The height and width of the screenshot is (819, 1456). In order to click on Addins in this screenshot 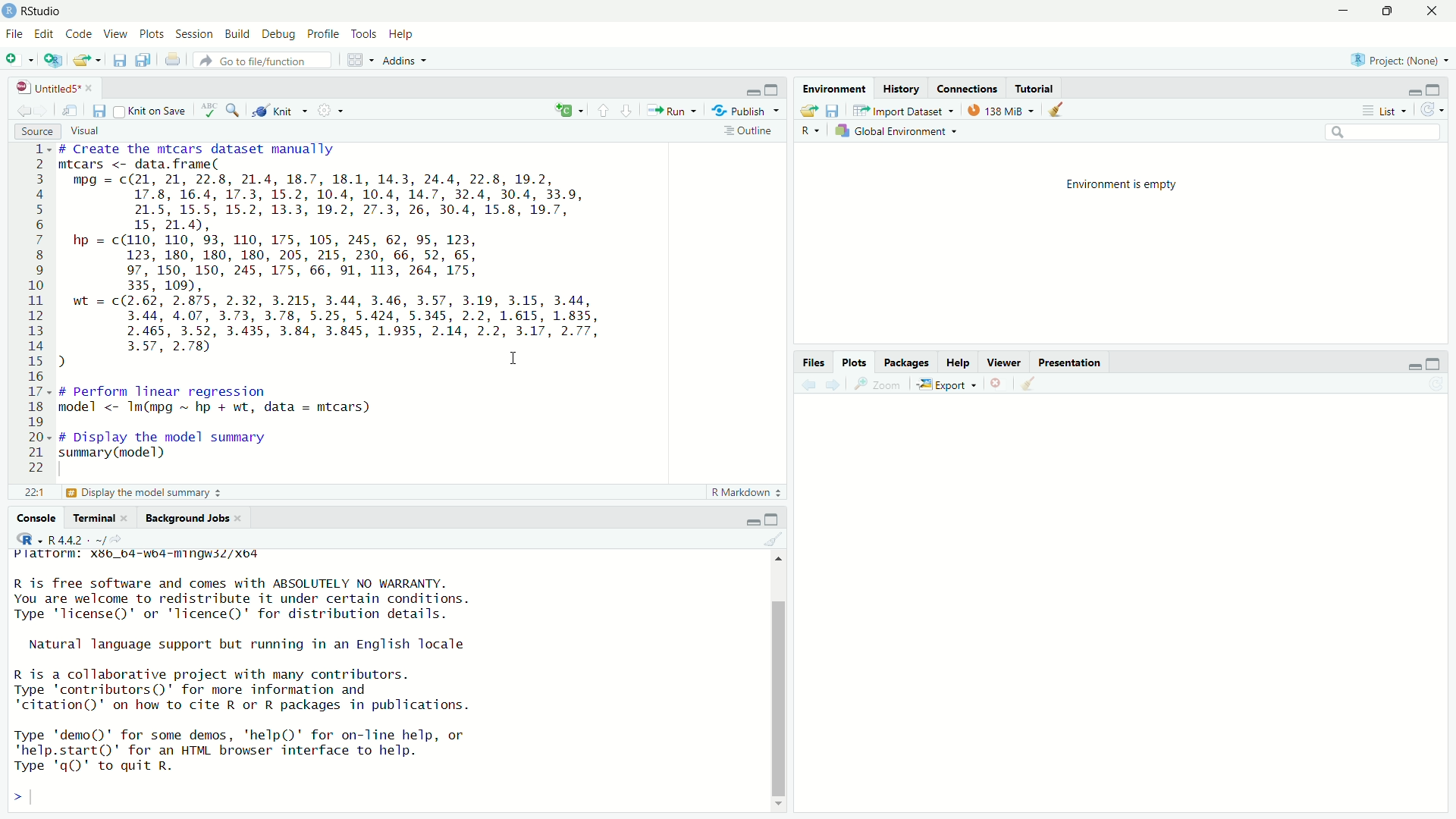, I will do `click(400, 62)`.